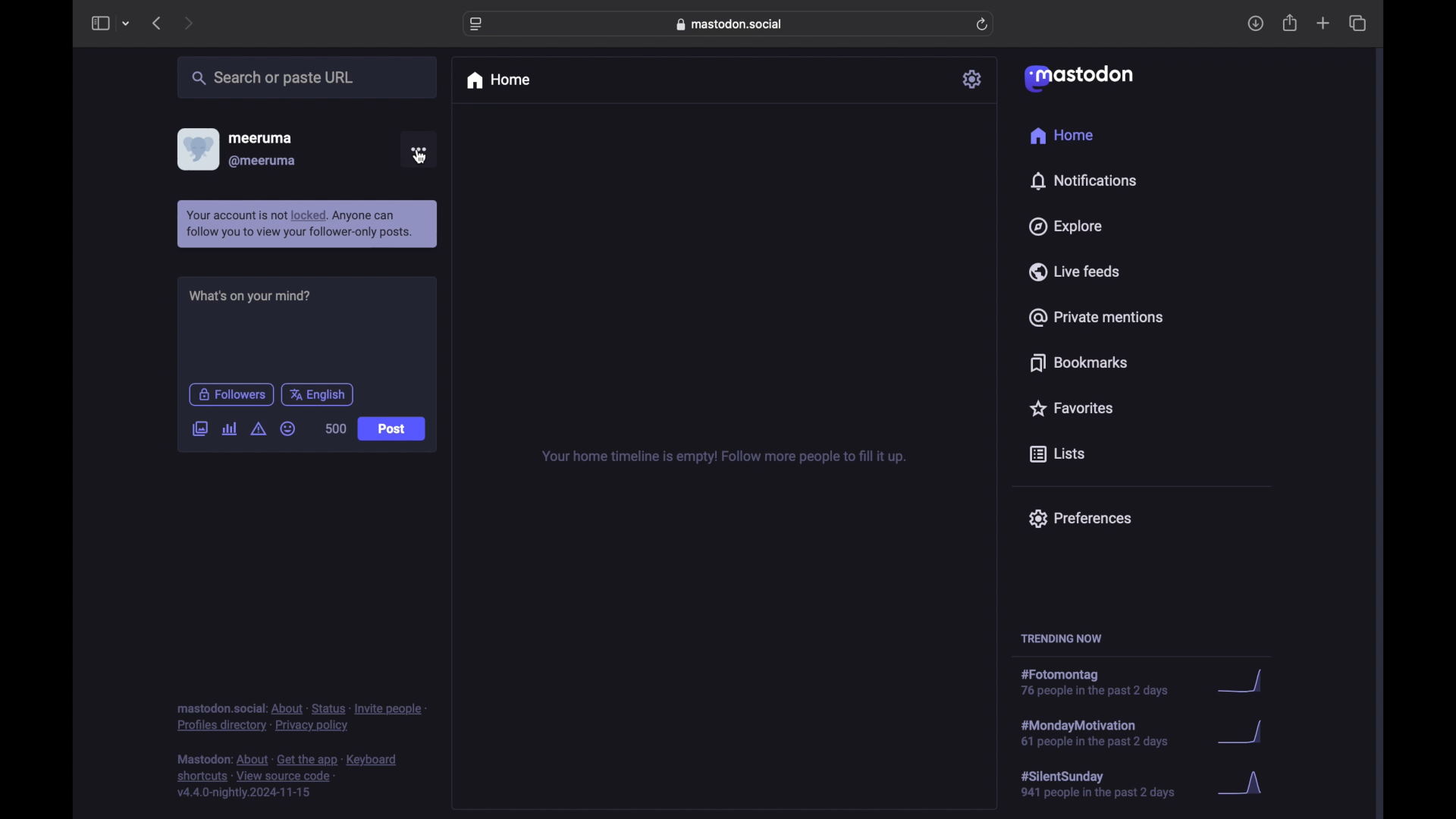  I want to click on hashtag trend, so click(1145, 785).